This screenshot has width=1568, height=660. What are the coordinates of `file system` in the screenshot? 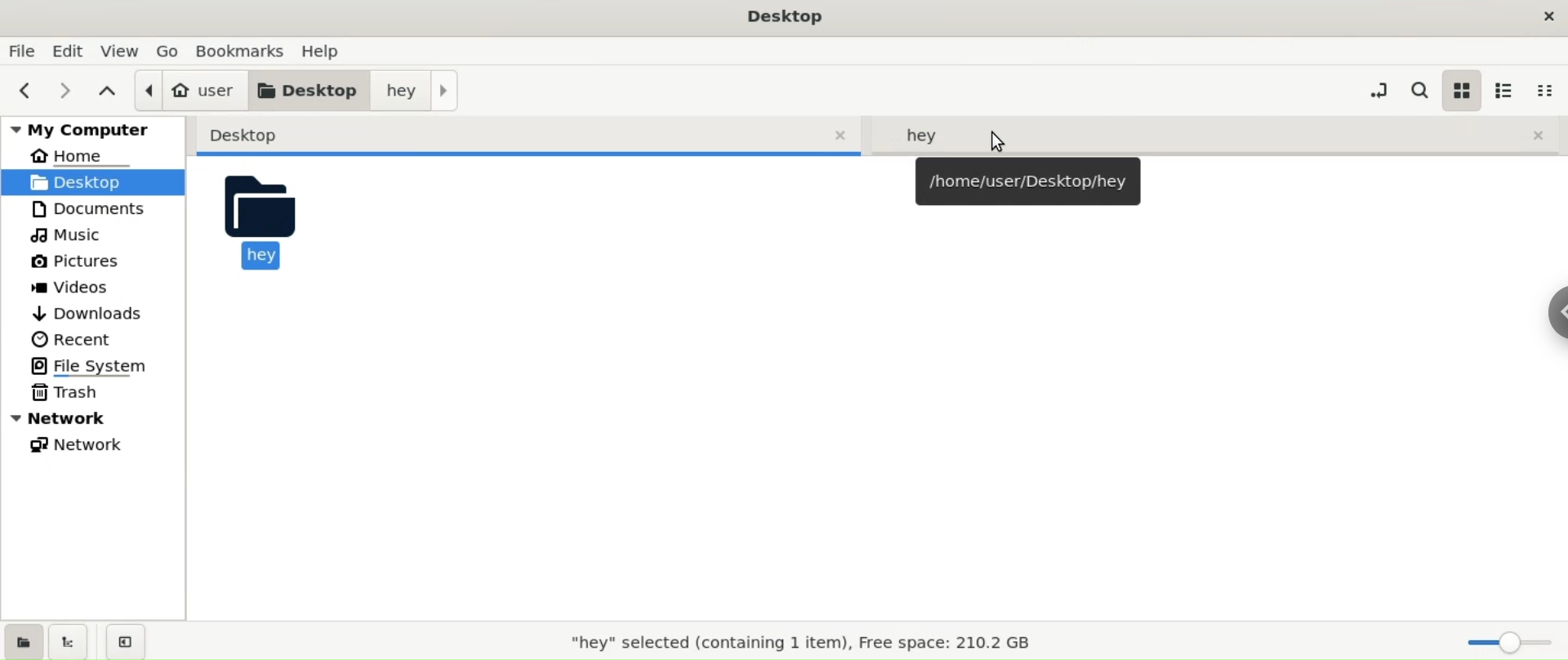 It's located at (101, 366).